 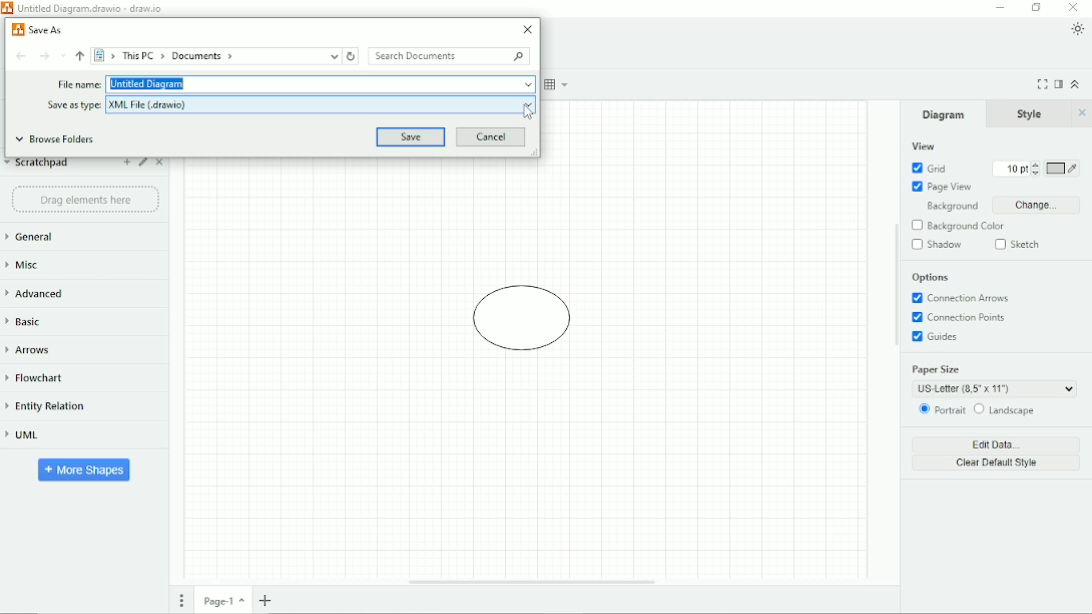 What do you see at coordinates (36, 29) in the screenshot?
I see `Save As` at bounding box center [36, 29].